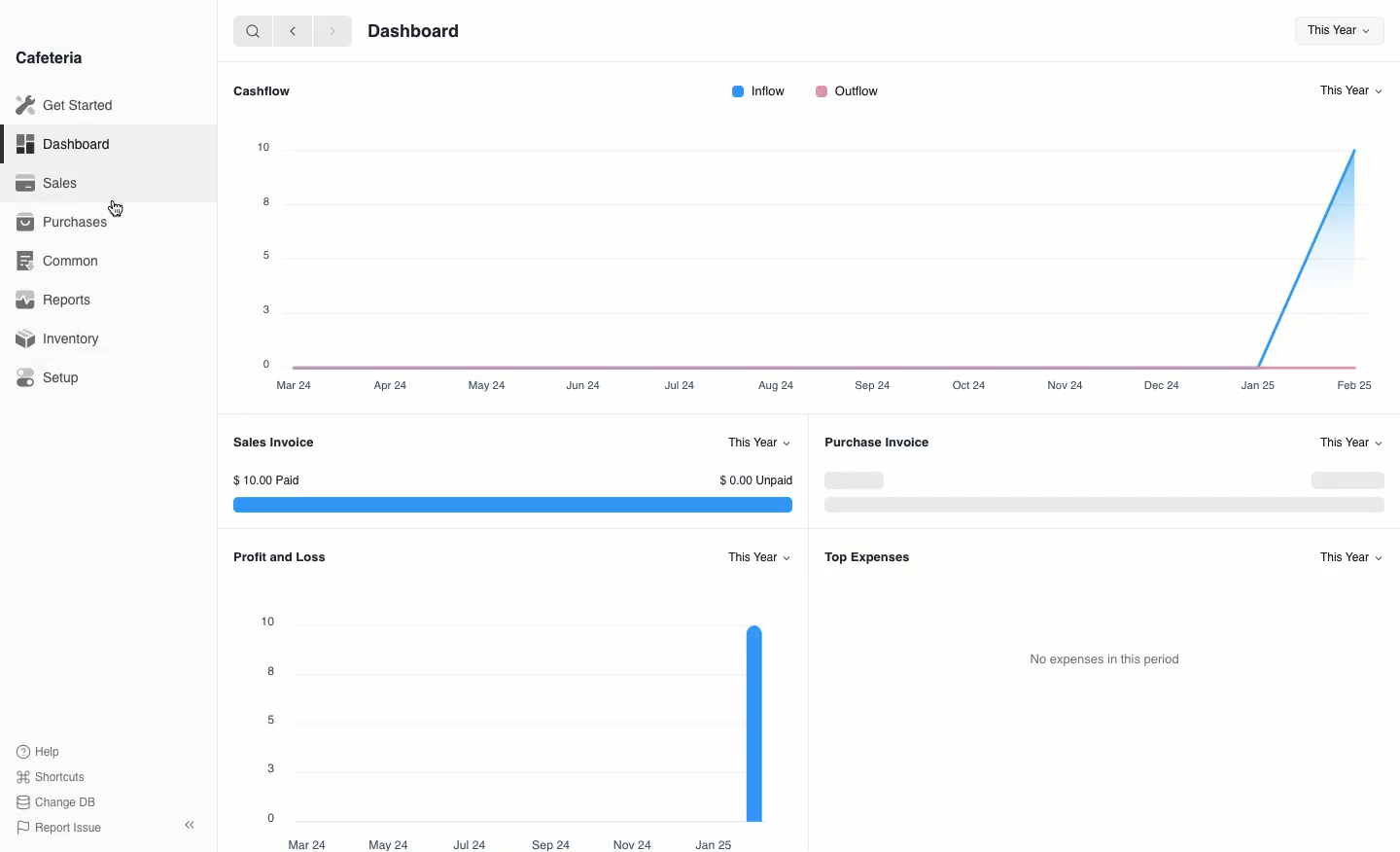 Image resolution: width=1400 pixels, height=852 pixels. What do you see at coordinates (758, 555) in the screenshot?
I see `This Year` at bounding box center [758, 555].